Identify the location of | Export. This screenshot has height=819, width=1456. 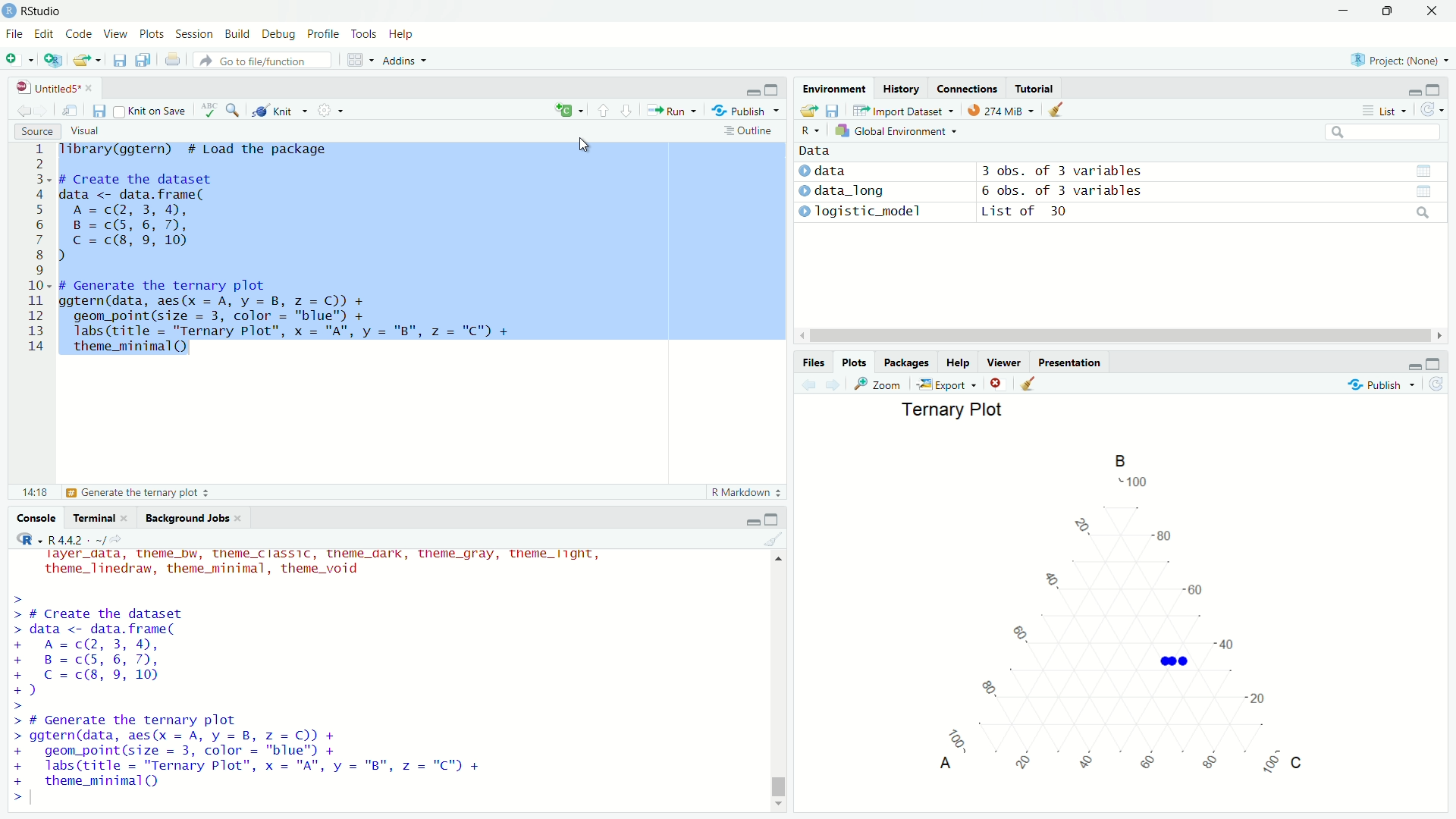
(943, 384).